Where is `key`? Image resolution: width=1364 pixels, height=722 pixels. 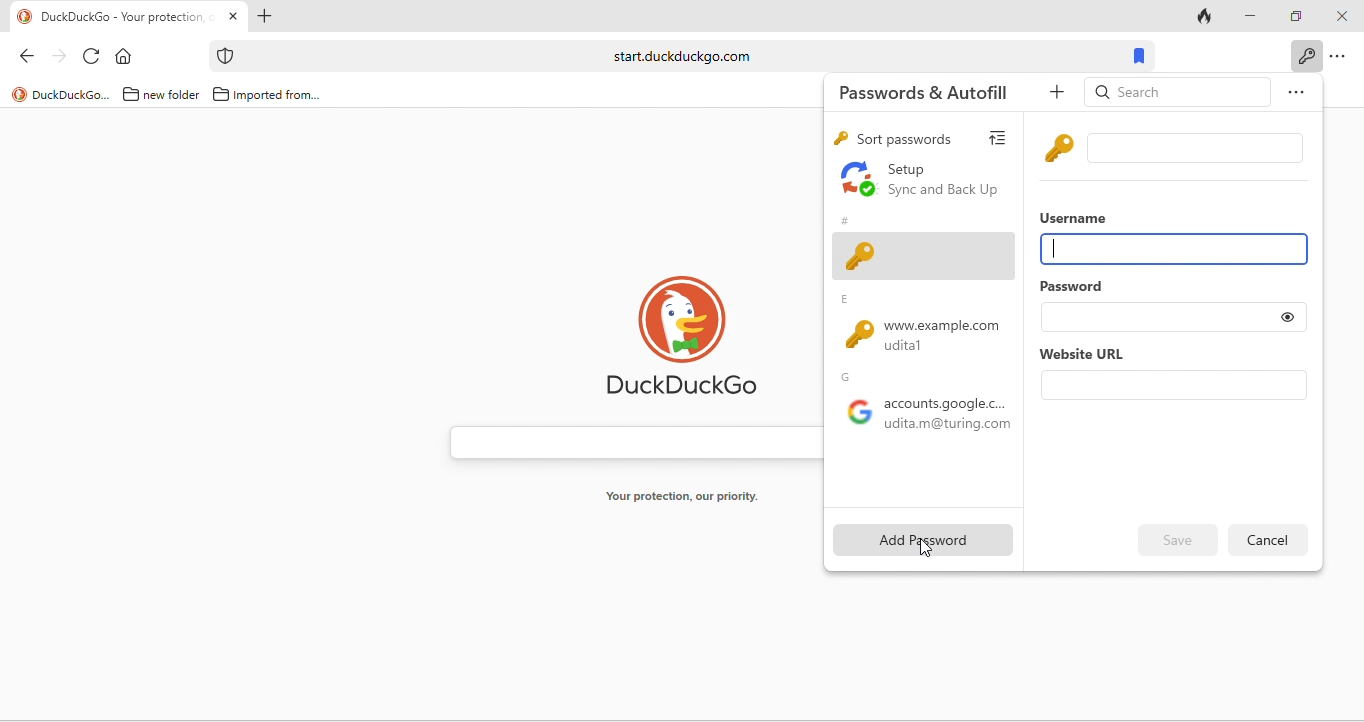 key is located at coordinates (839, 140).